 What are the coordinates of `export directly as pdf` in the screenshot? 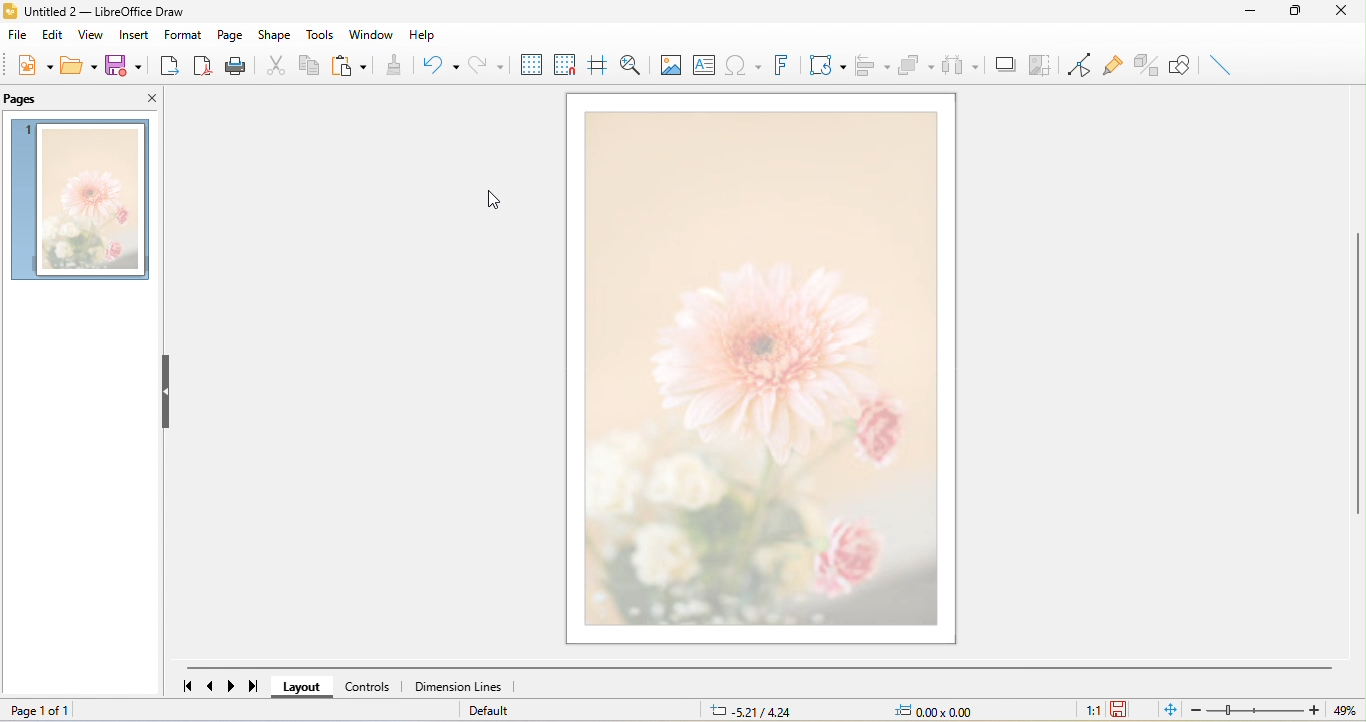 It's located at (199, 64).